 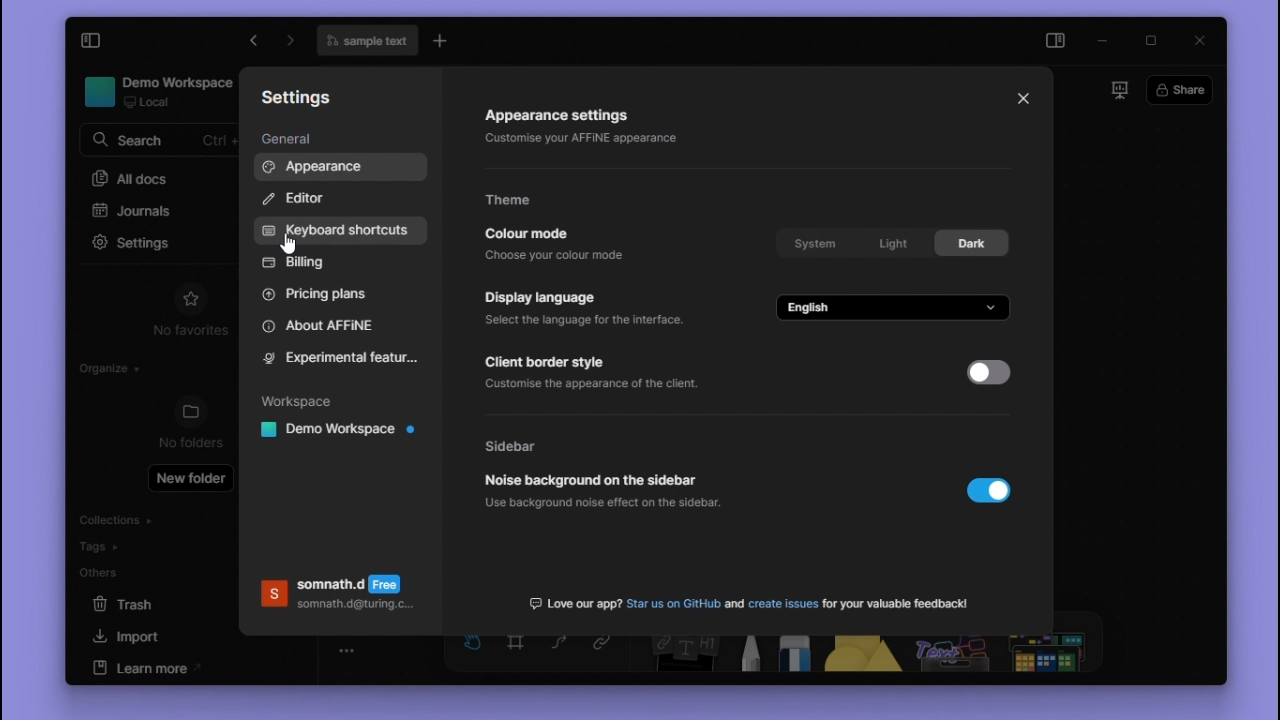 What do you see at coordinates (115, 518) in the screenshot?
I see `collections` at bounding box center [115, 518].